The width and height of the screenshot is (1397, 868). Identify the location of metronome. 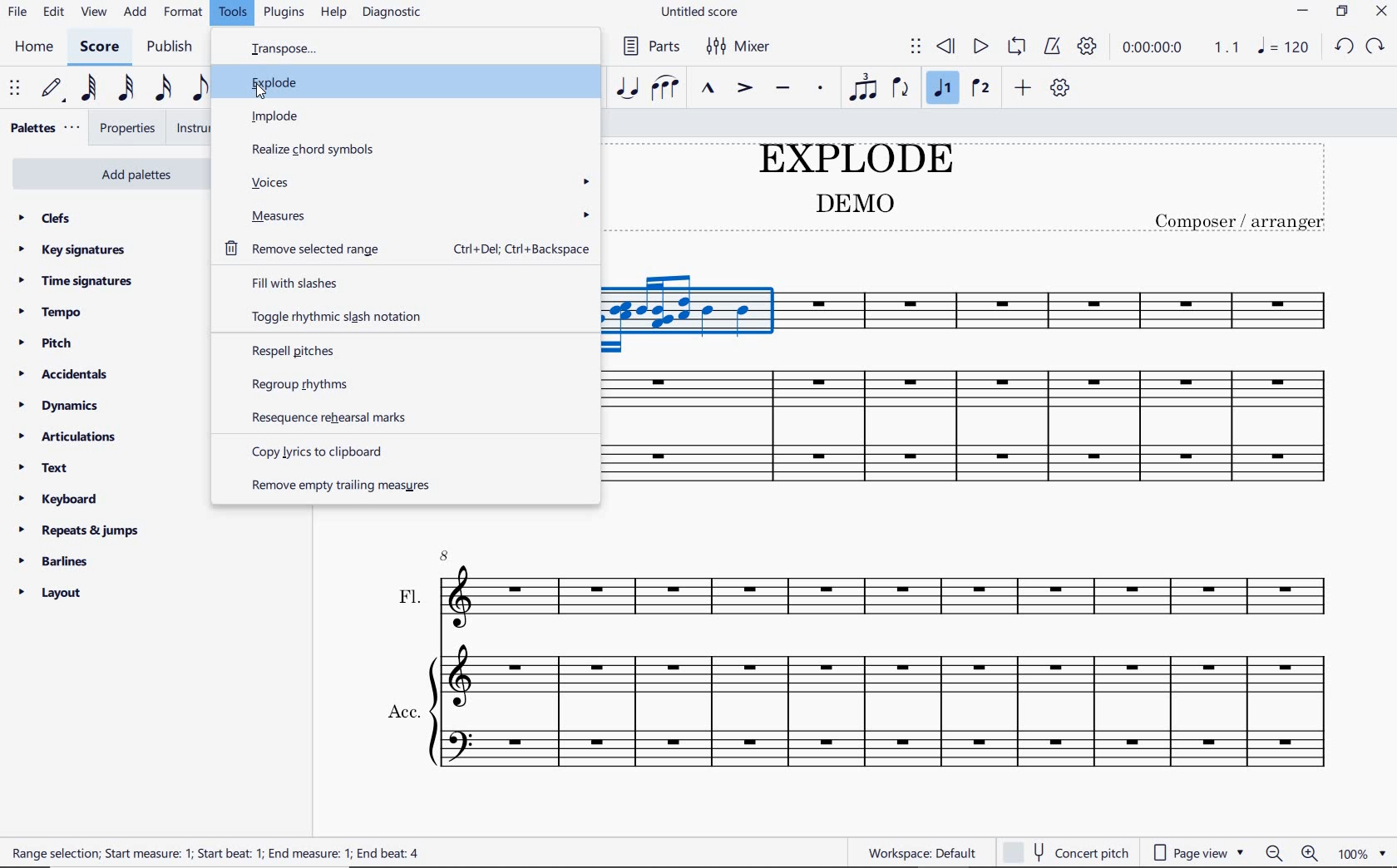
(1052, 46).